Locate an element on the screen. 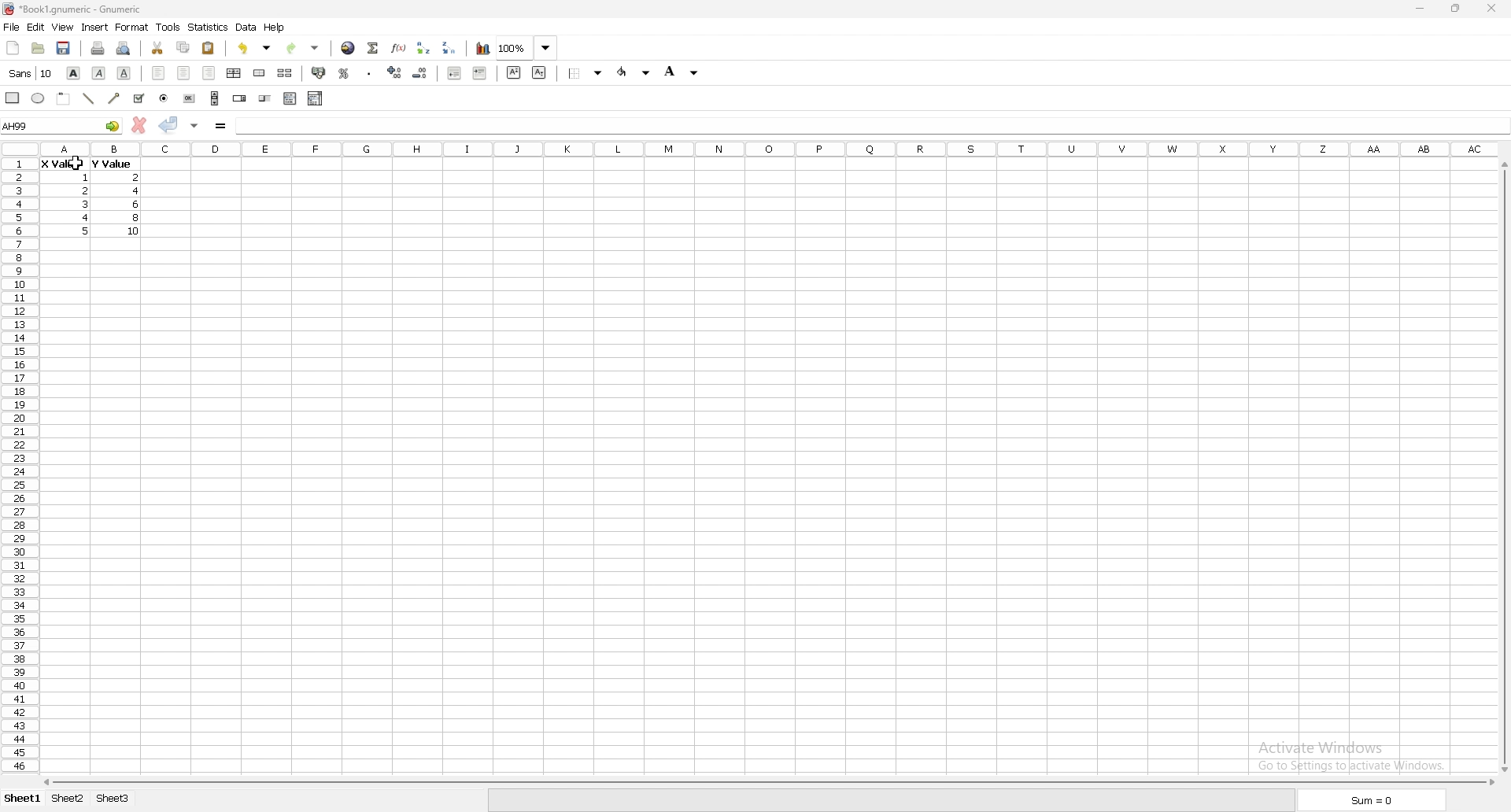 This screenshot has height=812, width=1511. accounting is located at coordinates (320, 72).